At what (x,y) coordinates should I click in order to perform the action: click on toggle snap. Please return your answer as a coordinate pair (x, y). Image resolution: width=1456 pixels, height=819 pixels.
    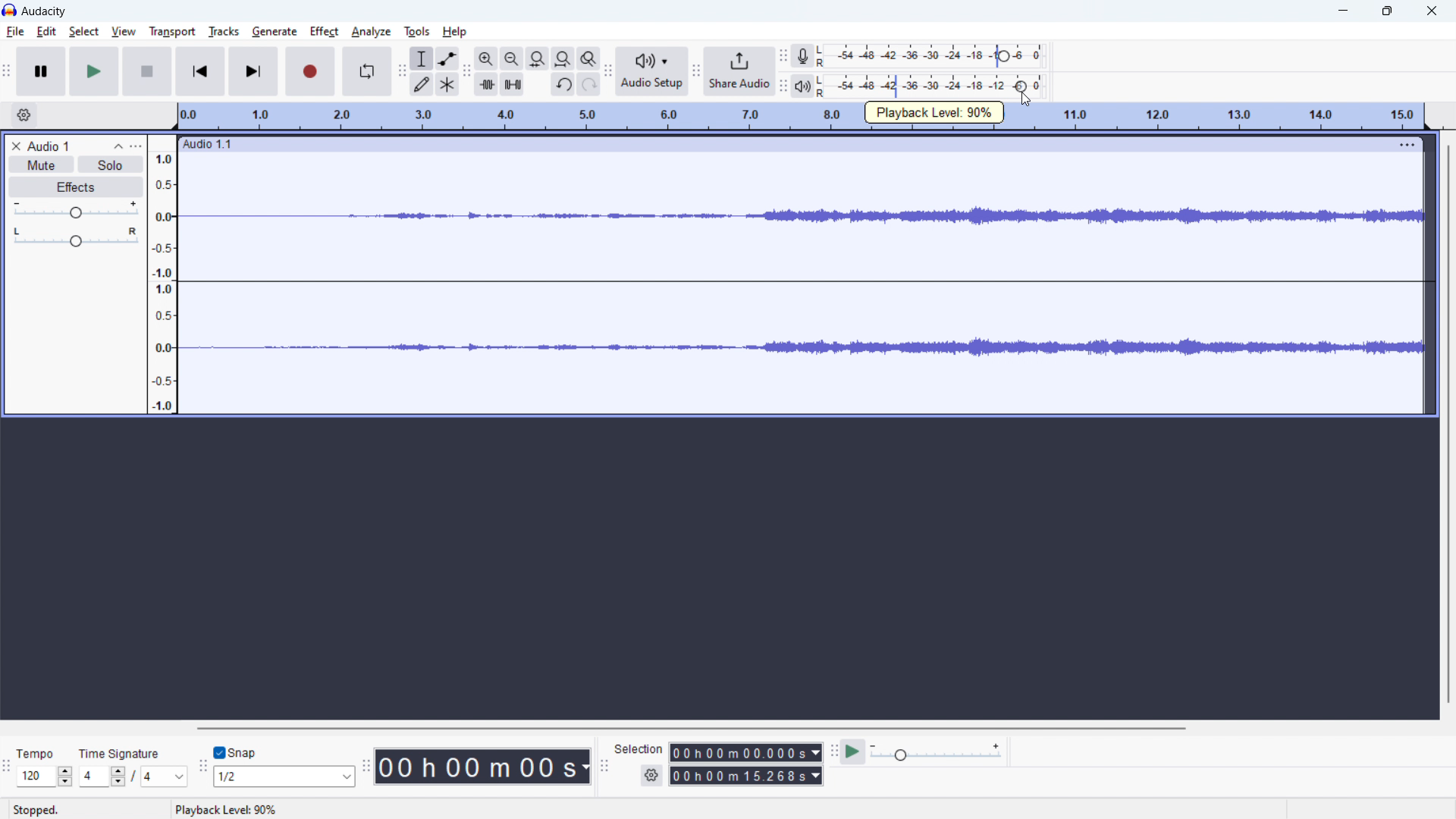
    Looking at the image, I should click on (236, 753).